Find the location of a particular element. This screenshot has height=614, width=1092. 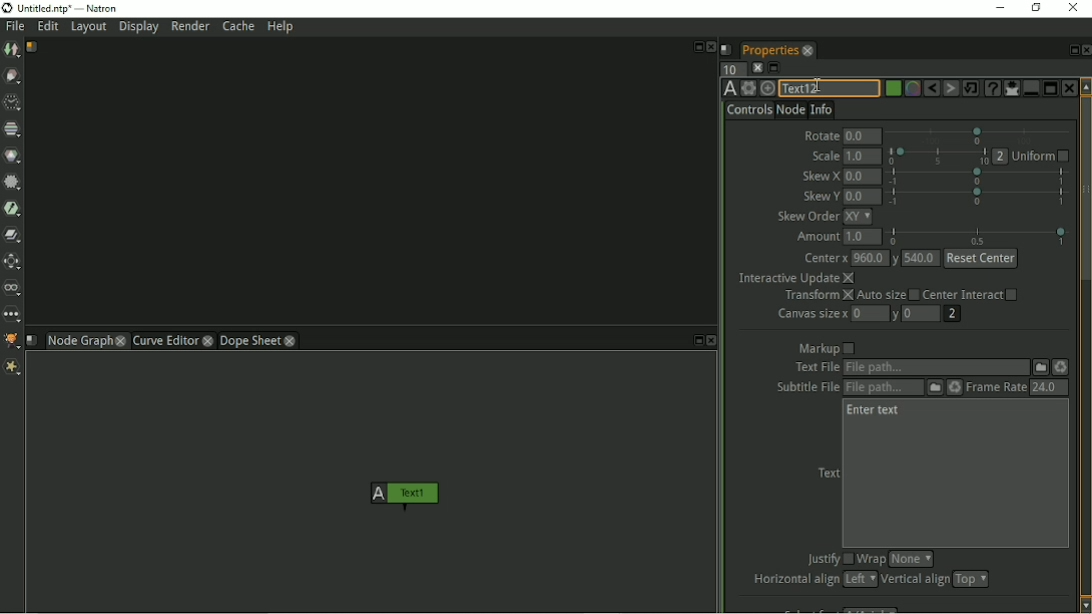

2 is located at coordinates (951, 314).